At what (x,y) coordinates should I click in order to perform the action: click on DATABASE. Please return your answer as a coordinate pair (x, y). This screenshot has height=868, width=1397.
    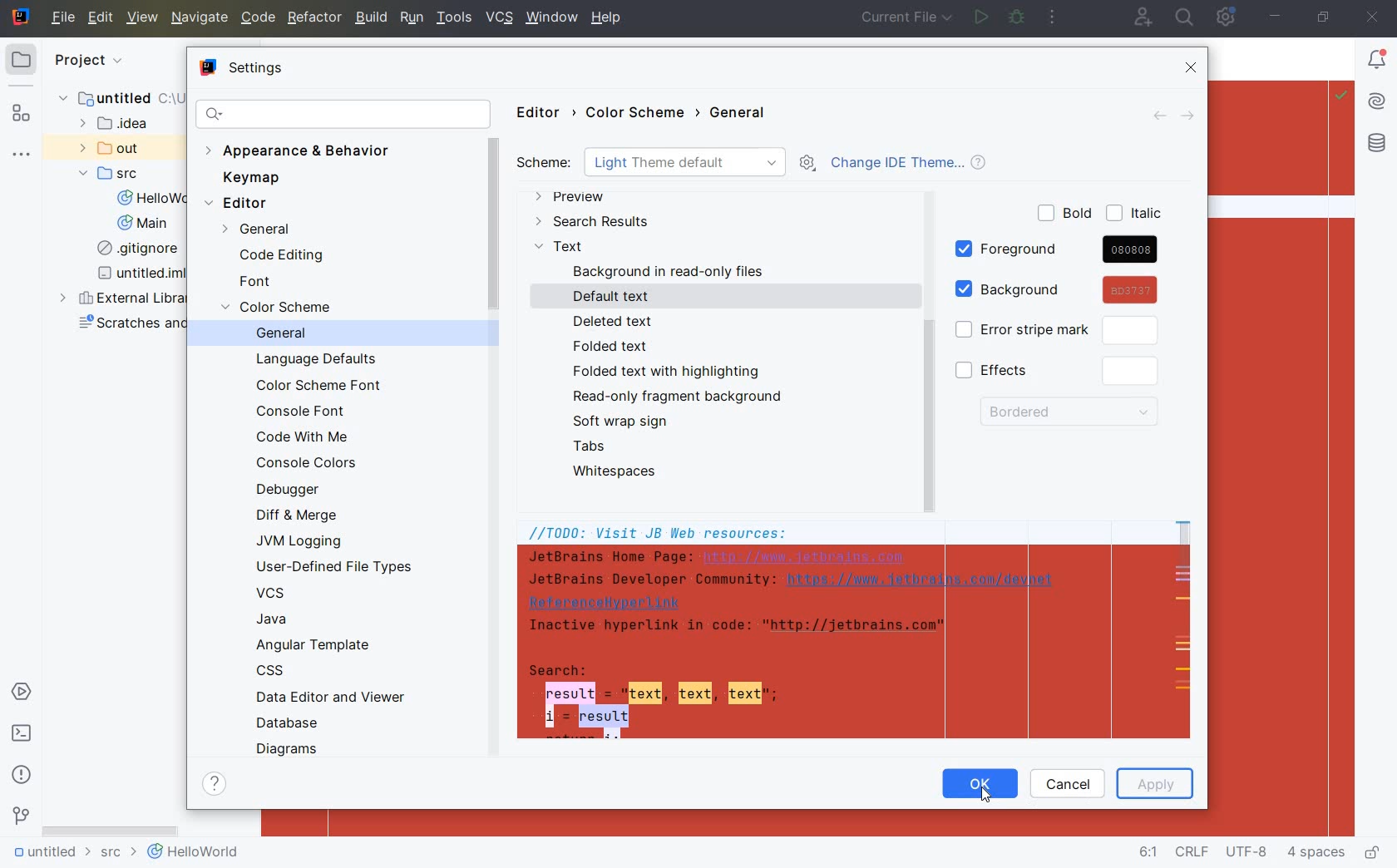
    Looking at the image, I should click on (293, 723).